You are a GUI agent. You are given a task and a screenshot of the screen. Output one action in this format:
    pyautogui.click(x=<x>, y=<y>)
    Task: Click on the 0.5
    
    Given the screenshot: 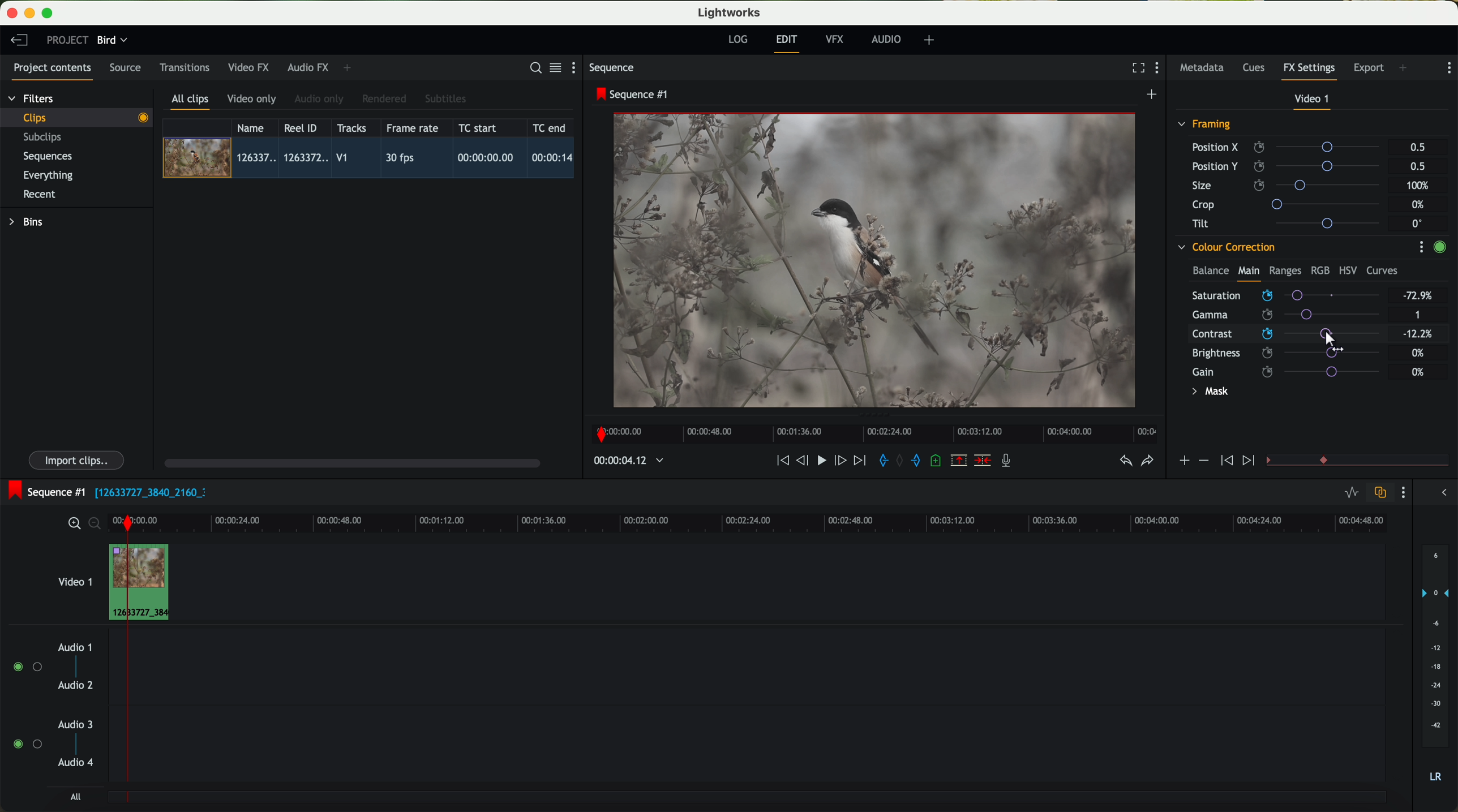 What is the action you would take?
    pyautogui.click(x=1417, y=166)
    